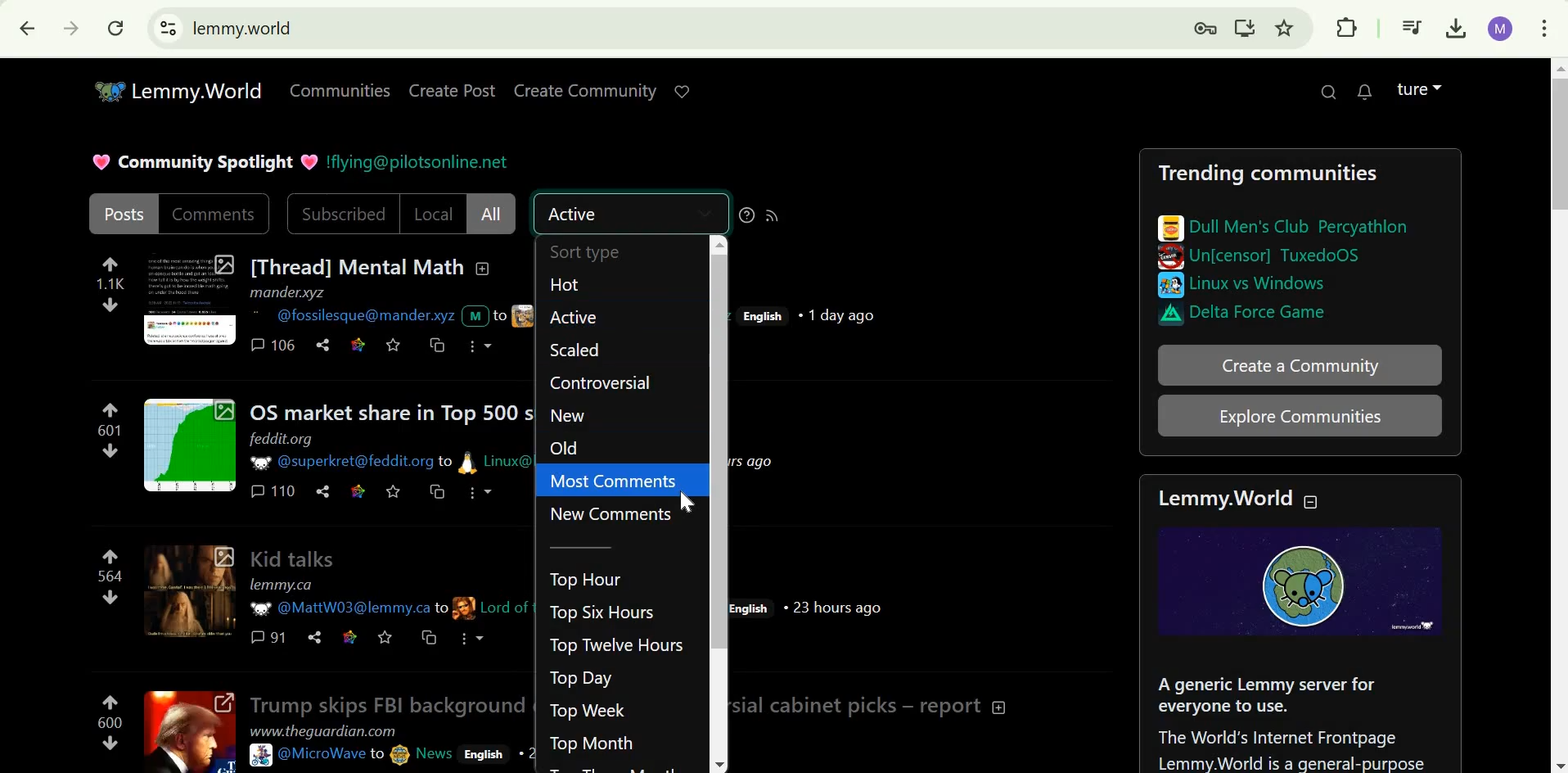 This screenshot has height=773, width=1568. What do you see at coordinates (1350, 26) in the screenshot?
I see `Extensions` at bounding box center [1350, 26].